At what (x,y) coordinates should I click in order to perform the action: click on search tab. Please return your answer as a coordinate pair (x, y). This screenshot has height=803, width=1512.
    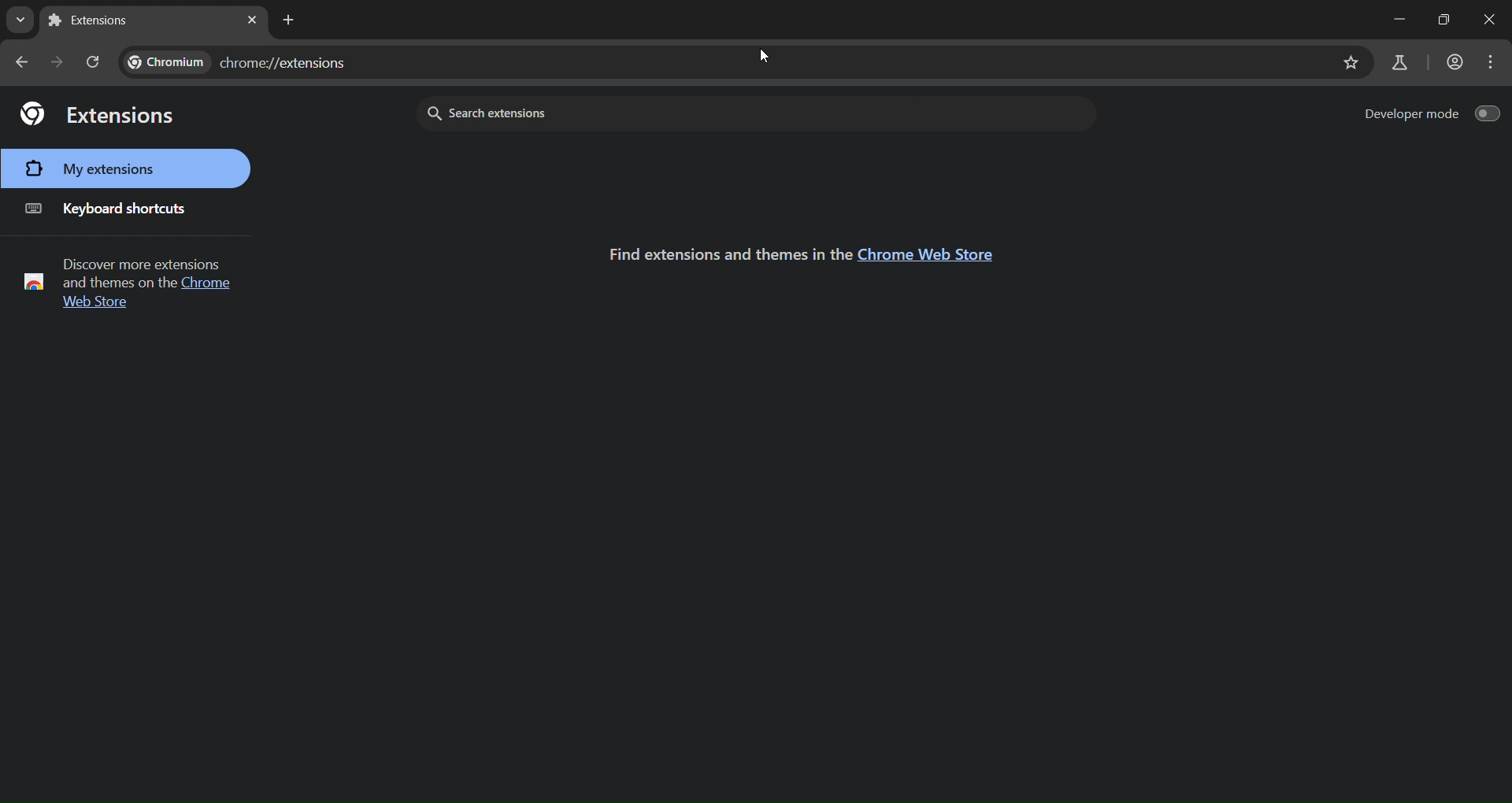
    Looking at the image, I should click on (17, 18).